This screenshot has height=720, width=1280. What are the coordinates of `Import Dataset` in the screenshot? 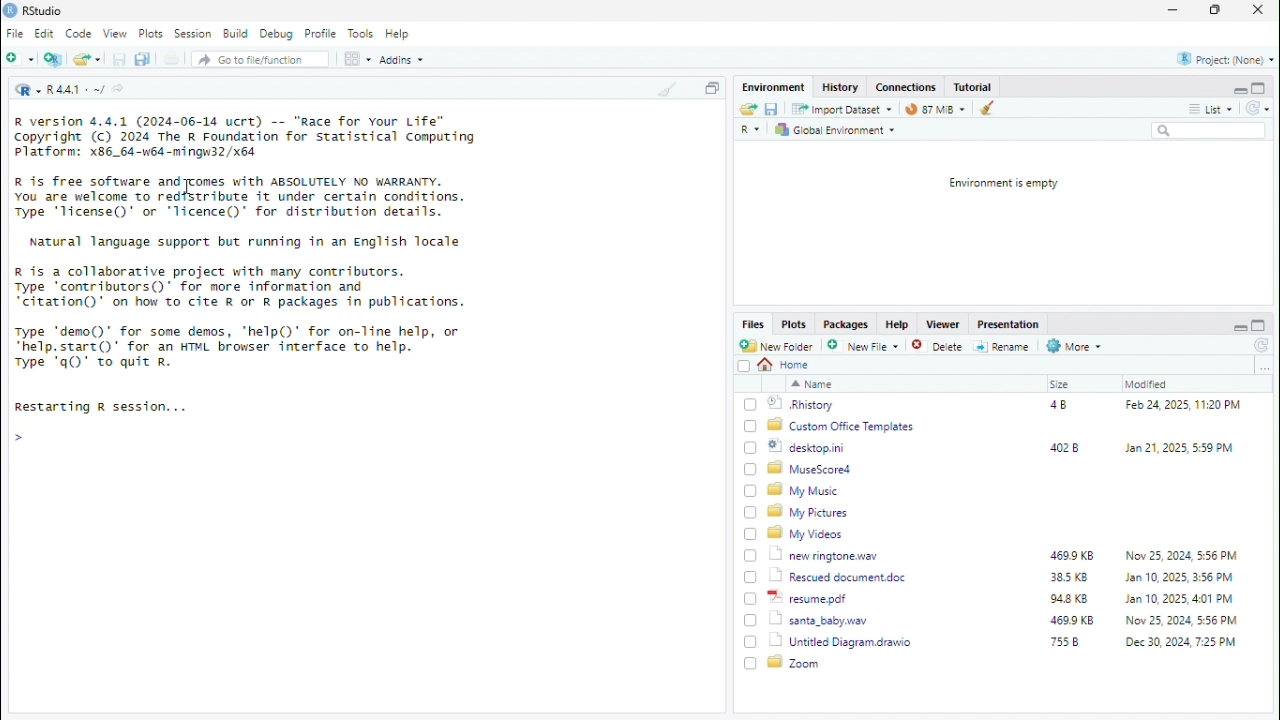 It's located at (841, 109).